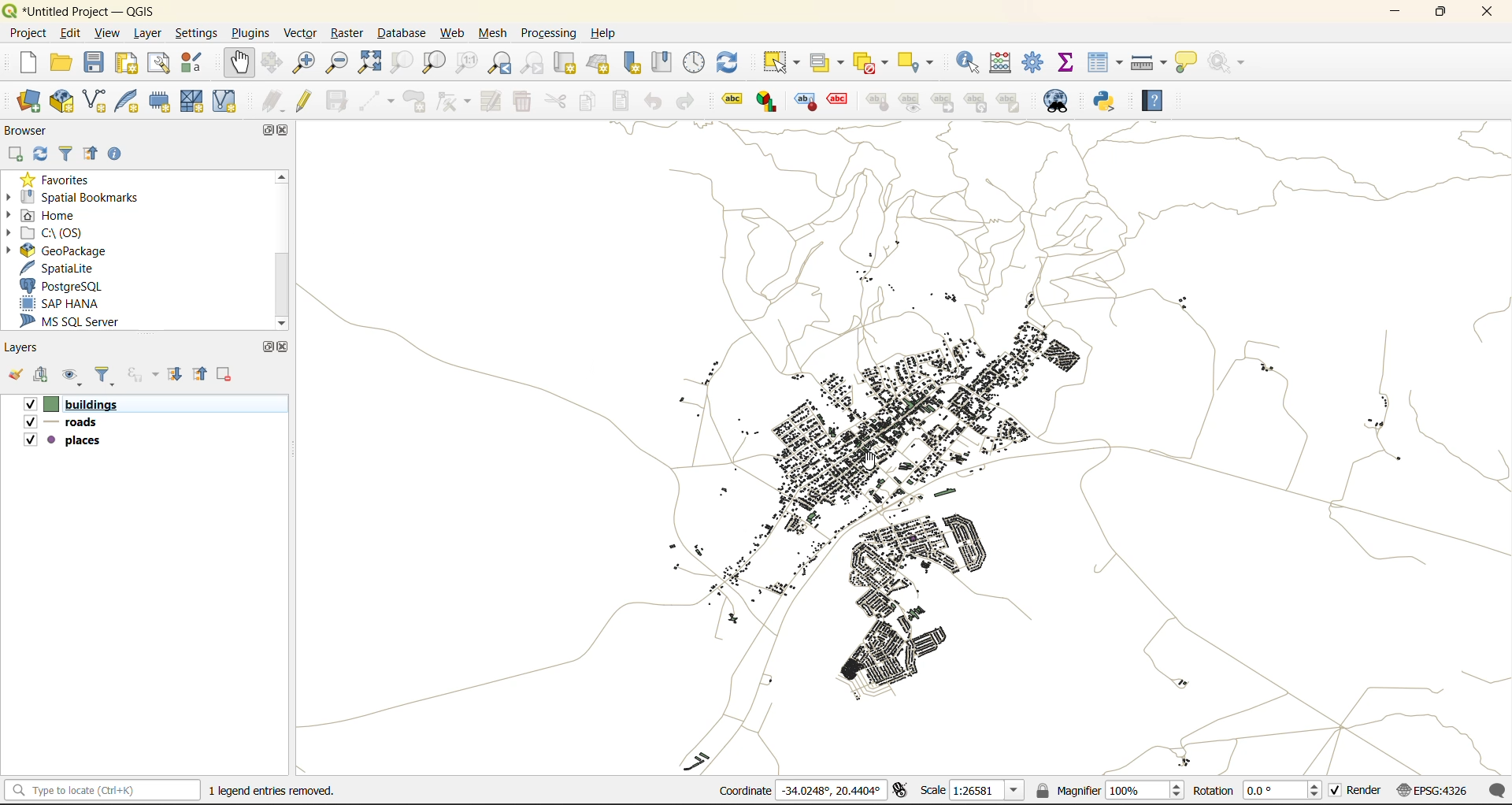 The width and height of the screenshot is (1512, 805). I want to click on layers, so click(908, 451).